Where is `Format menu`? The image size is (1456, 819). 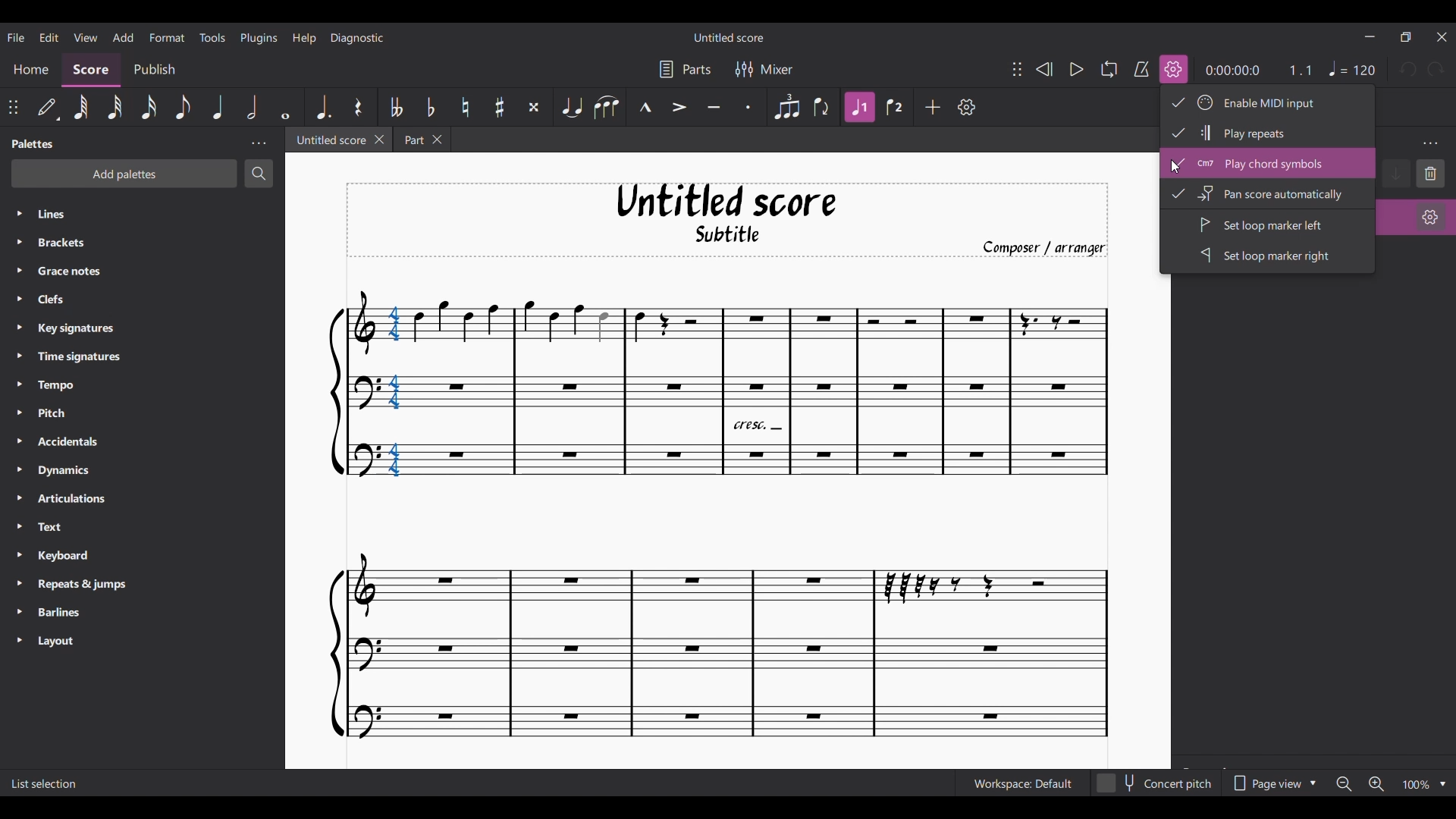 Format menu is located at coordinates (167, 37).